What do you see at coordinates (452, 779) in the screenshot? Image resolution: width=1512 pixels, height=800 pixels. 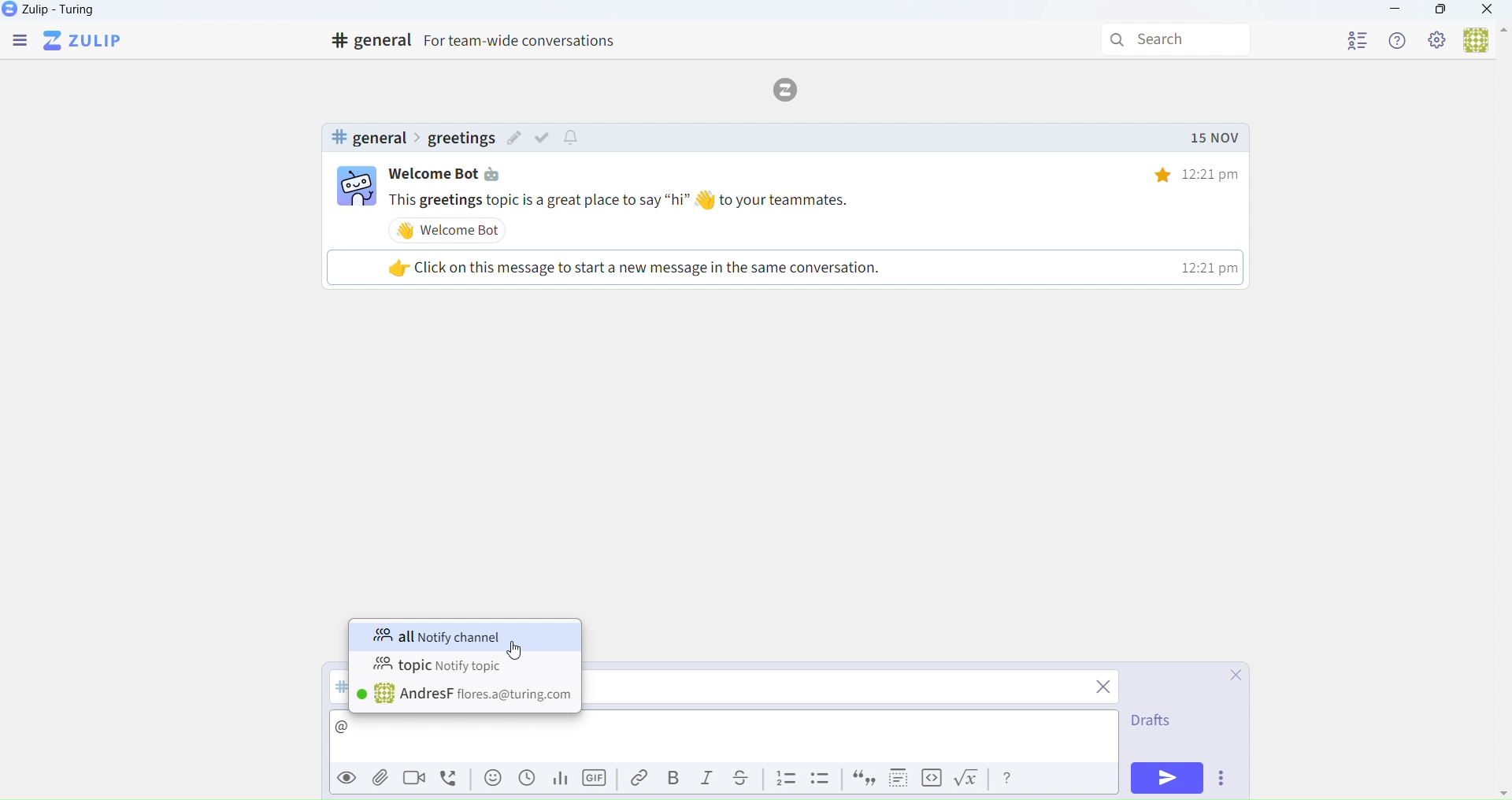 I see `Voicecall` at bounding box center [452, 779].